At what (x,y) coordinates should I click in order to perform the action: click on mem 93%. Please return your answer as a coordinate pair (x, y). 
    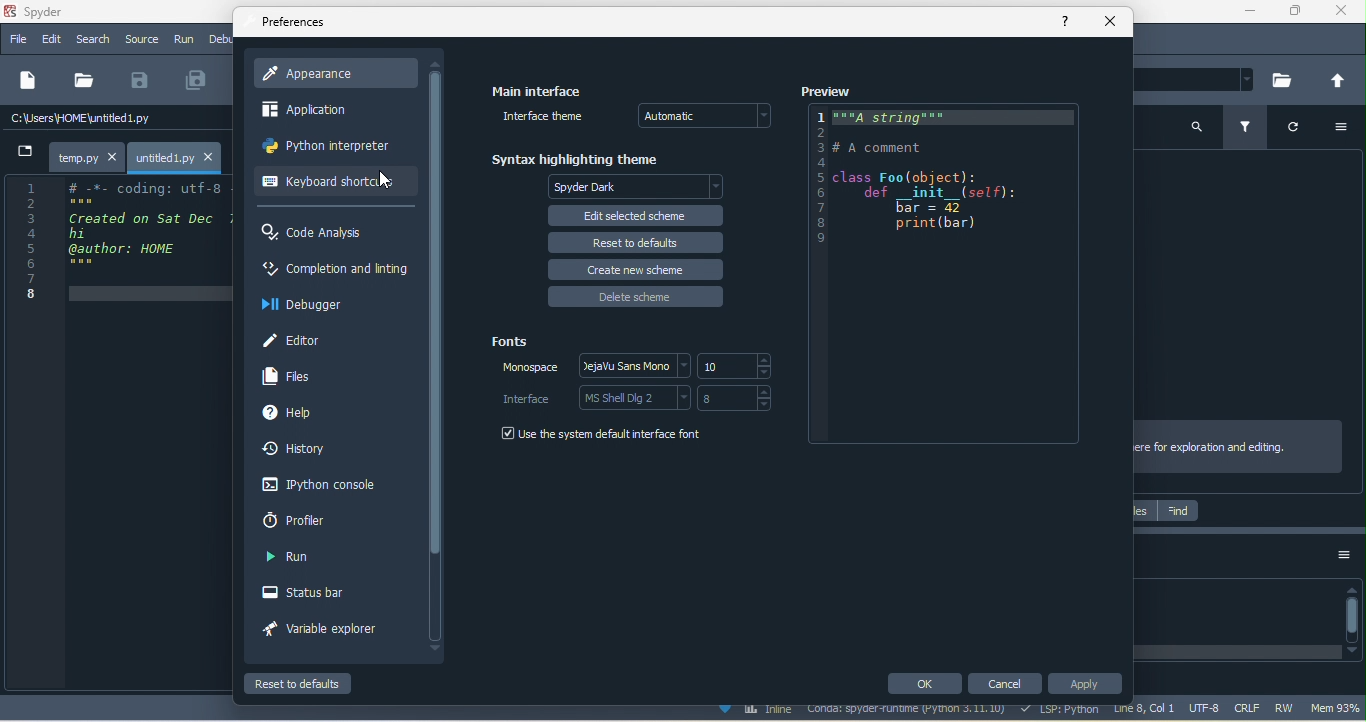
    Looking at the image, I should click on (1337, 708).